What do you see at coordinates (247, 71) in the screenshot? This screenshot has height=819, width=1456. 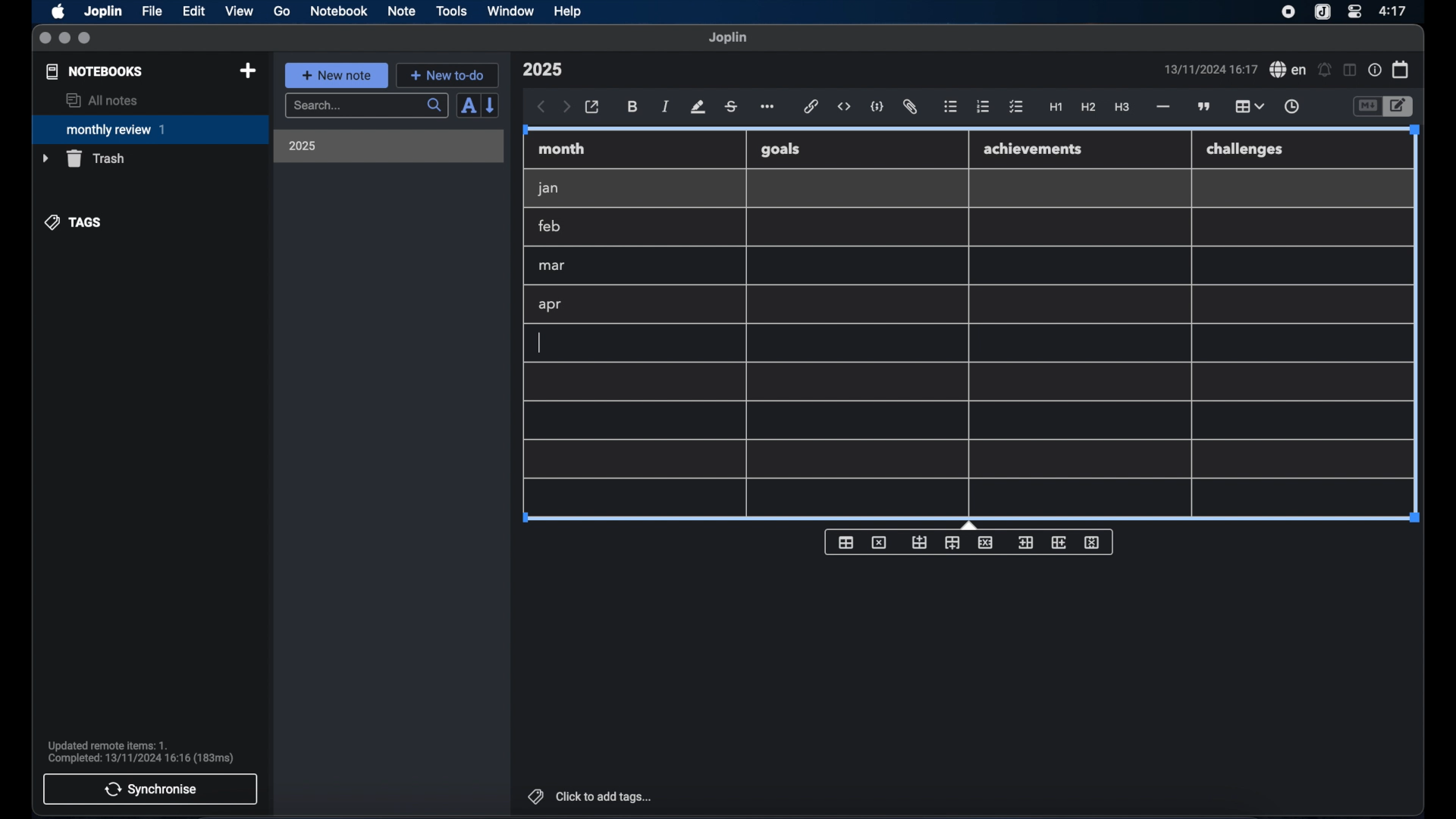 I see `new notebook` at bounding box center [247, 71].